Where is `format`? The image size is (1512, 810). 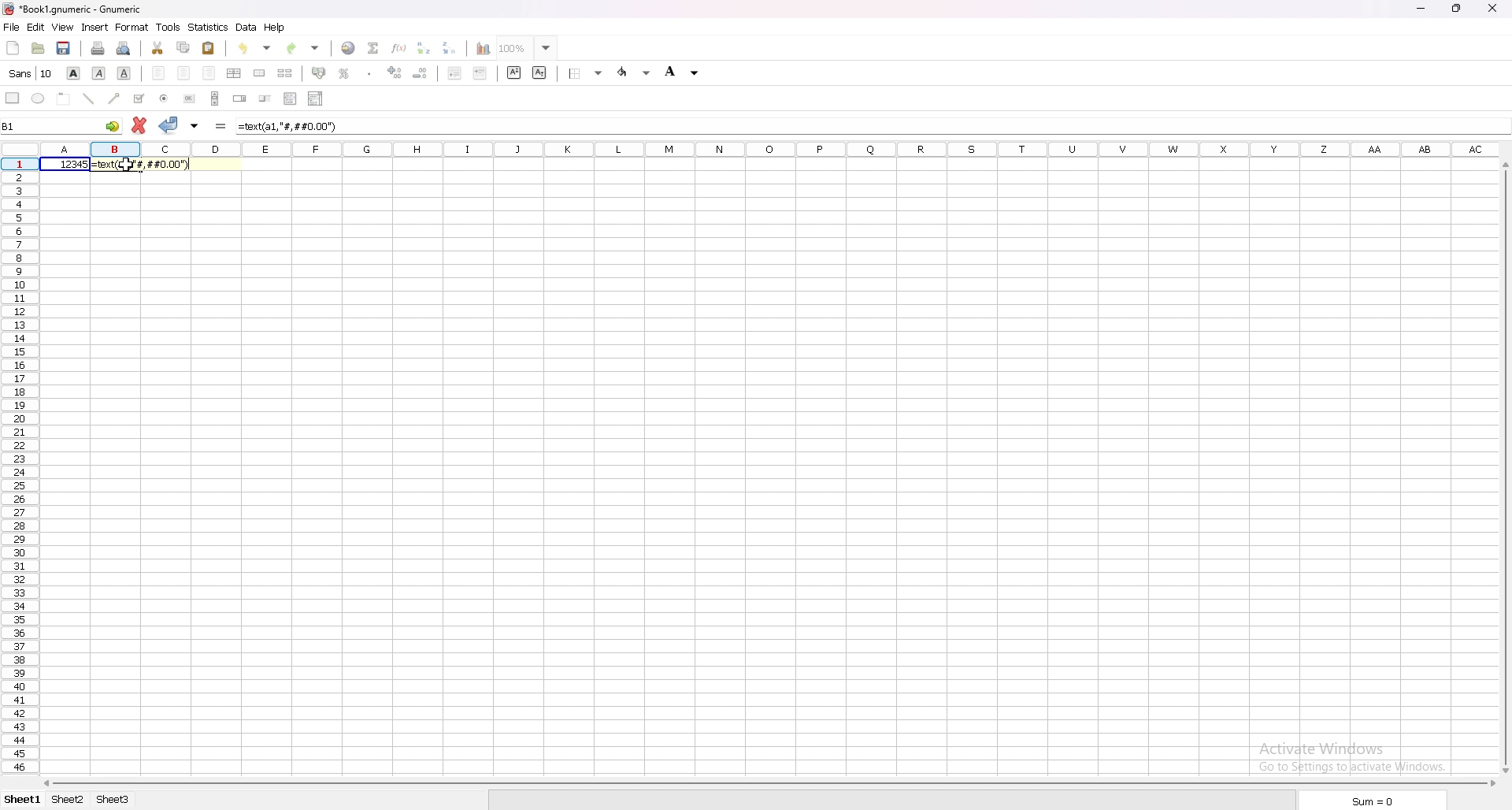 format is located at coordinates (132, 28).